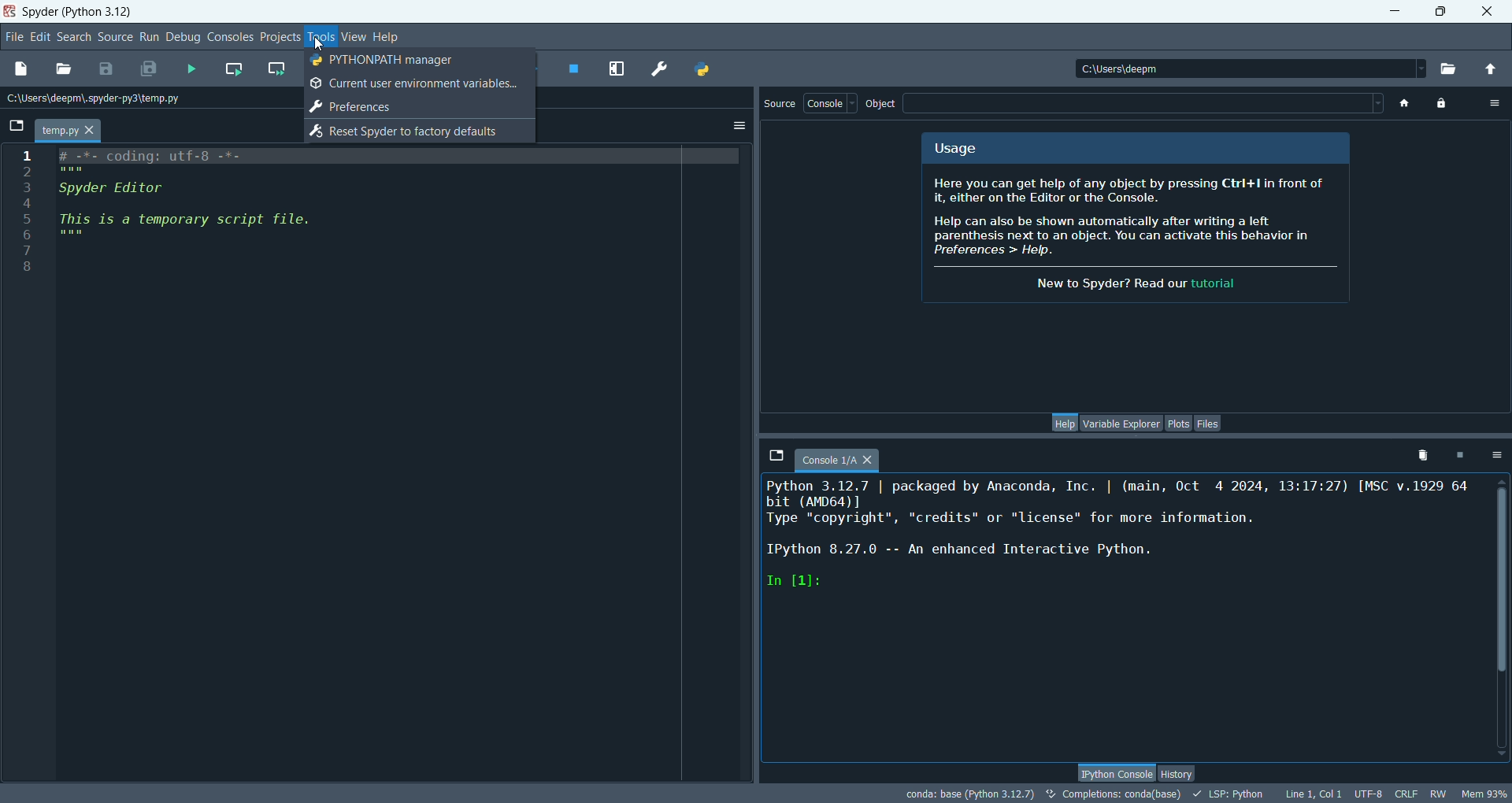  Describe the element at coordinates (385, 37) in the screenshot. I see `help` at that location.